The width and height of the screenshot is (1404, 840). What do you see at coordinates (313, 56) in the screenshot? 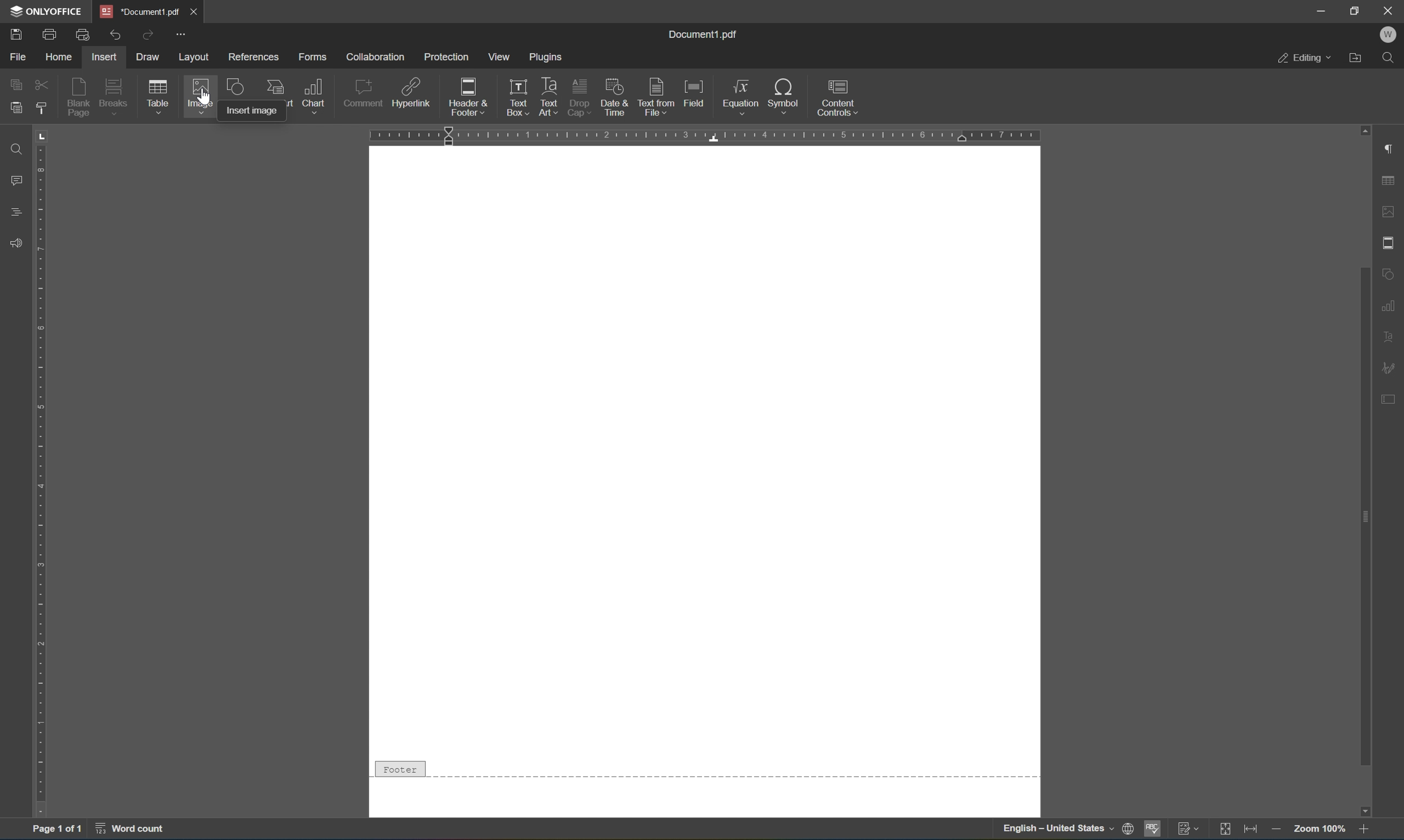
I see `forms` at bounding box center [313, 56].